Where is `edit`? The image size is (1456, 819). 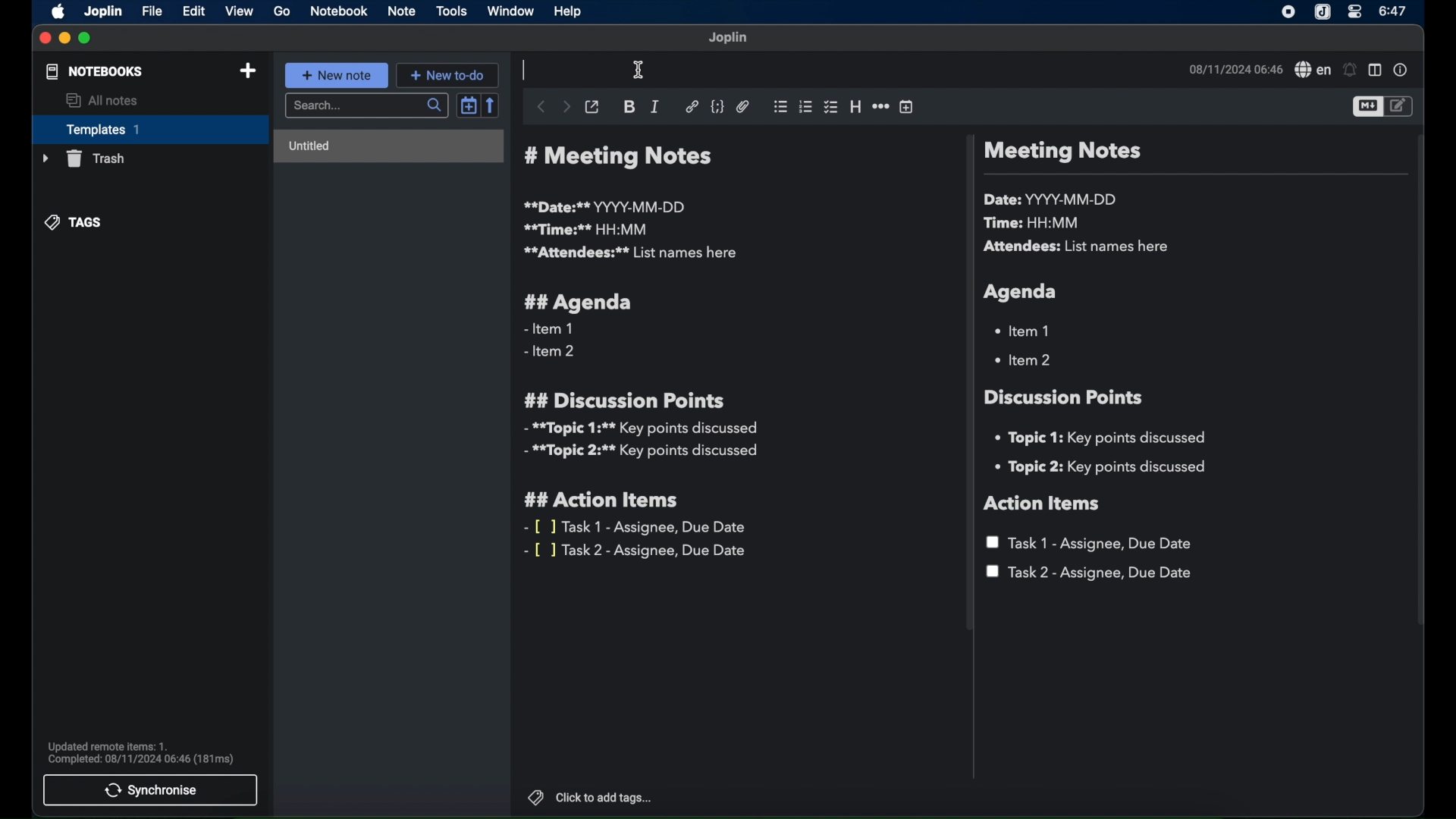 edit is located at coordinates (193, 11).